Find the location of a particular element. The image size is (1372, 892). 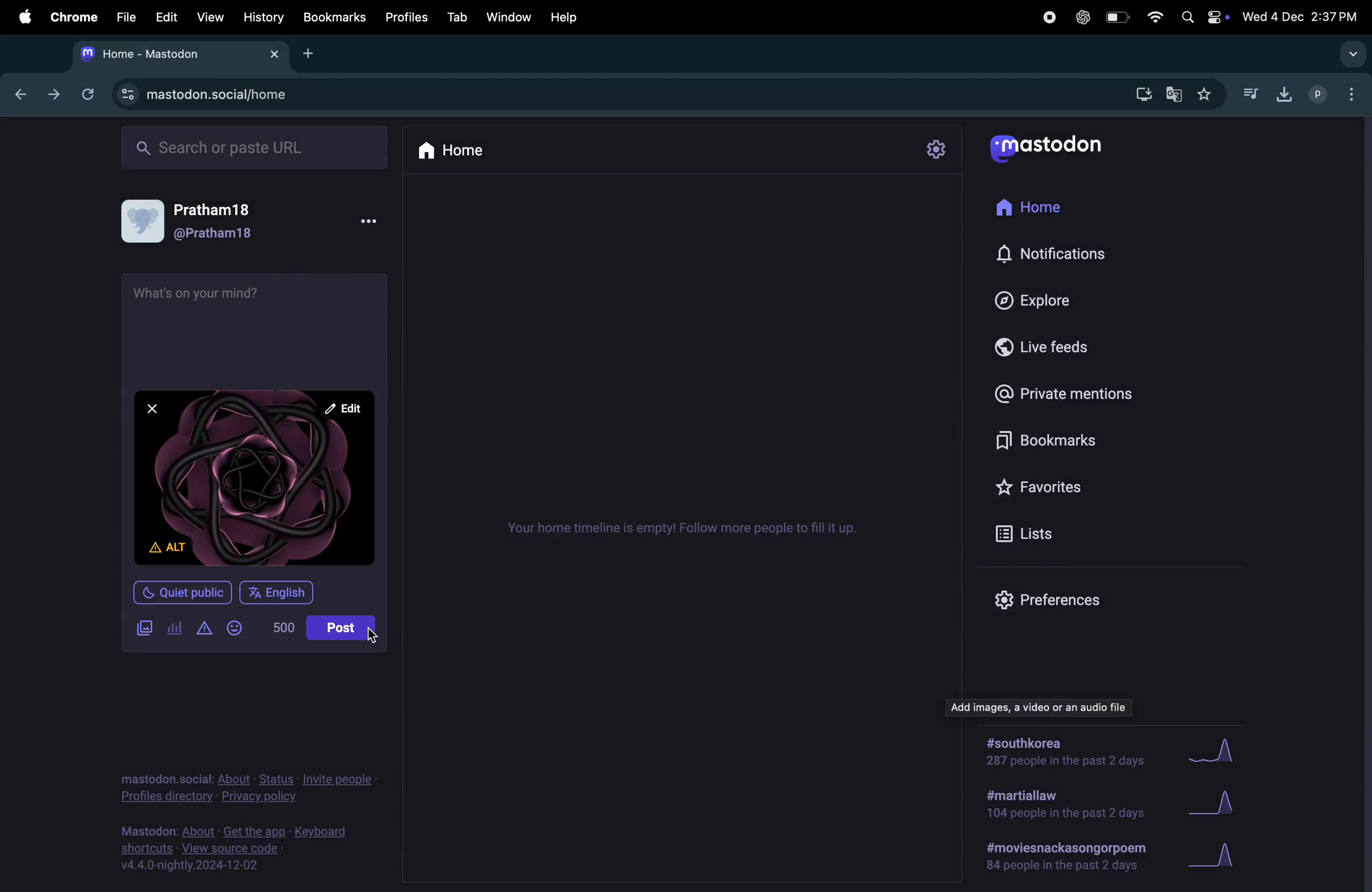

prefrences is located at coordinates (1051, 599).